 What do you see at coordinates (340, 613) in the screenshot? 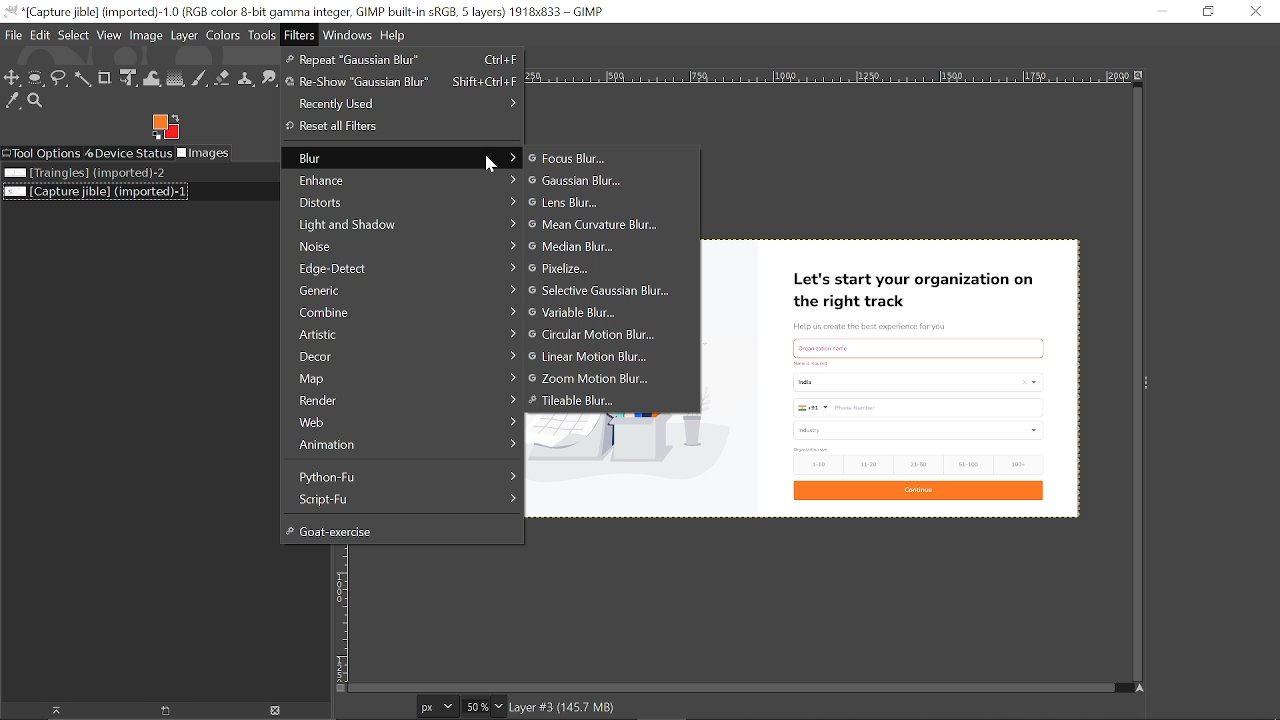
I see `Vertical label` at bounding box center [340, 613].